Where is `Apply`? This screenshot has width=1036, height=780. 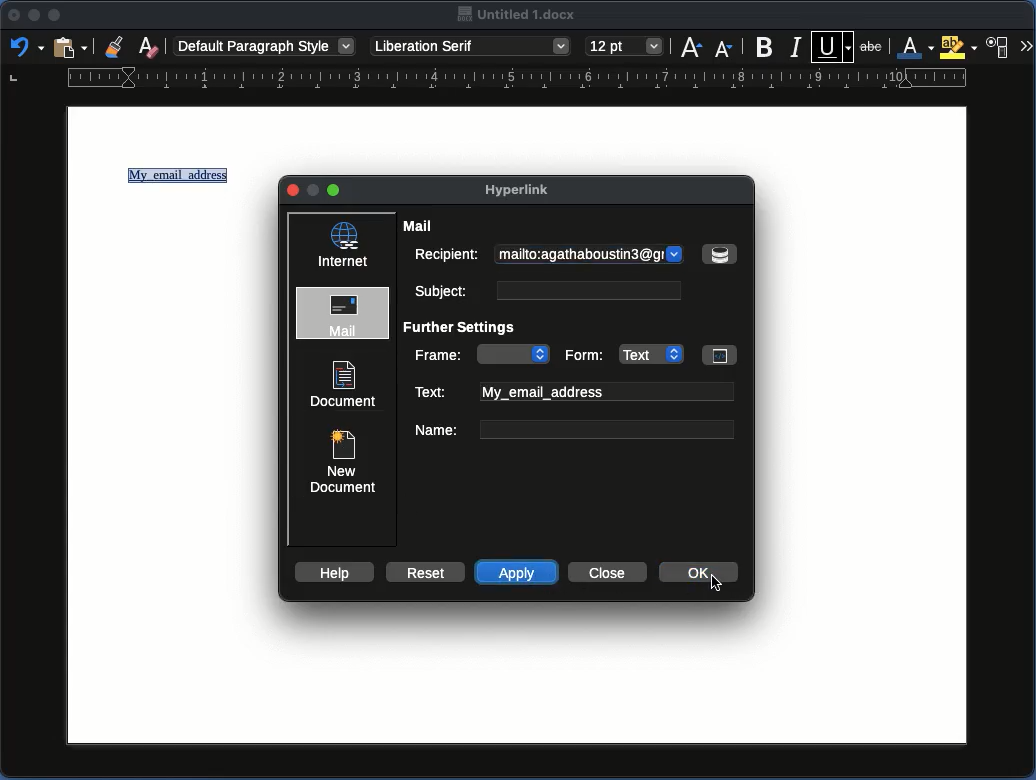
Apply is located at coordinates (518, 573).